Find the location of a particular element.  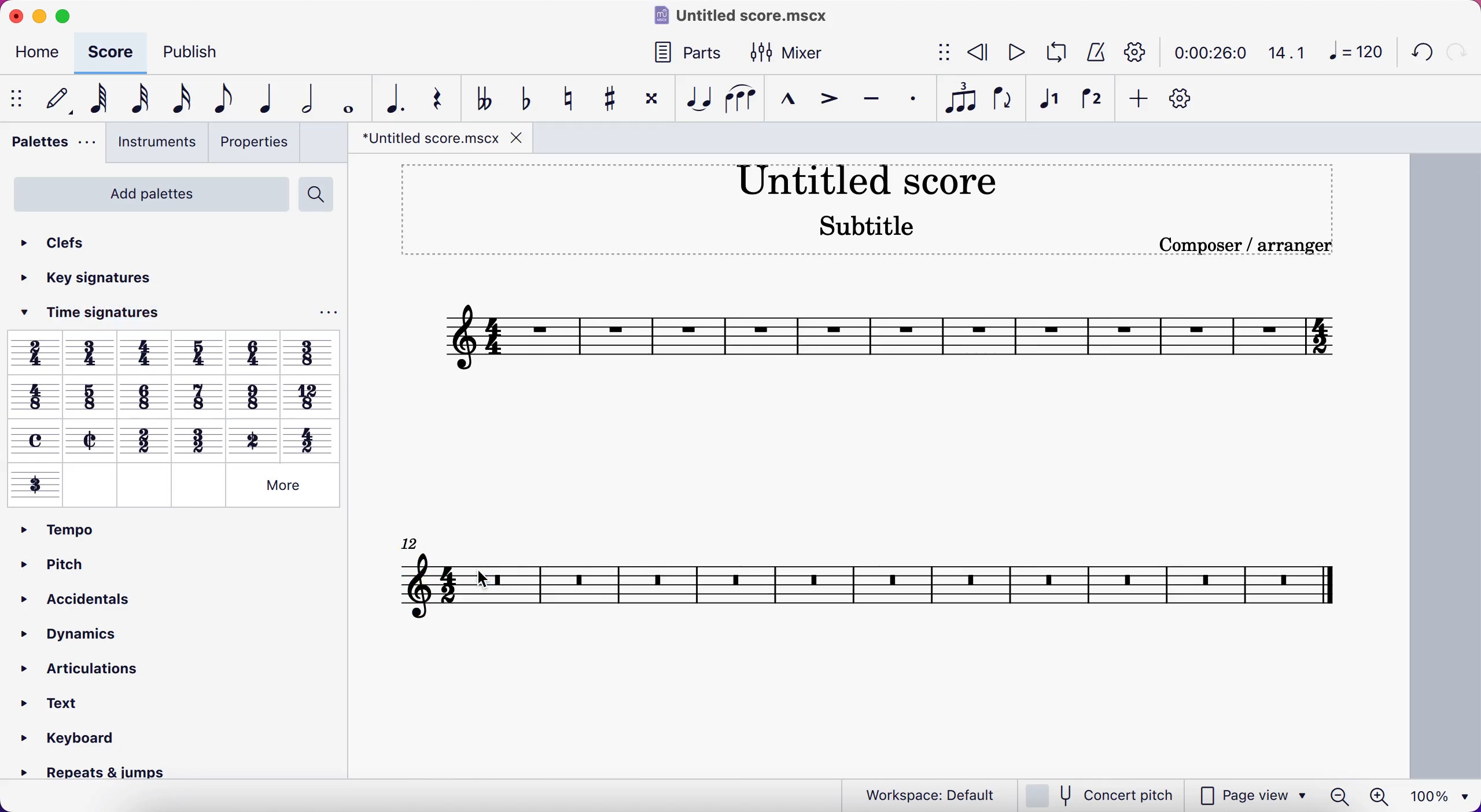

toggle double sharp is located at coordinates (651, 95).